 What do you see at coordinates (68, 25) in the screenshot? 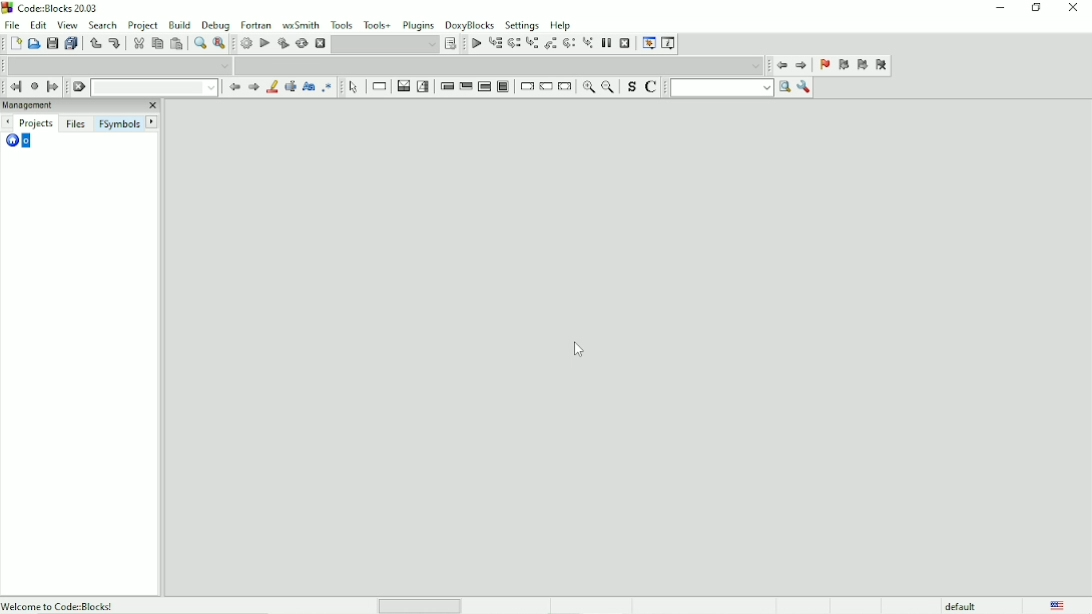
I see `View` at bounding box center [68, 25].